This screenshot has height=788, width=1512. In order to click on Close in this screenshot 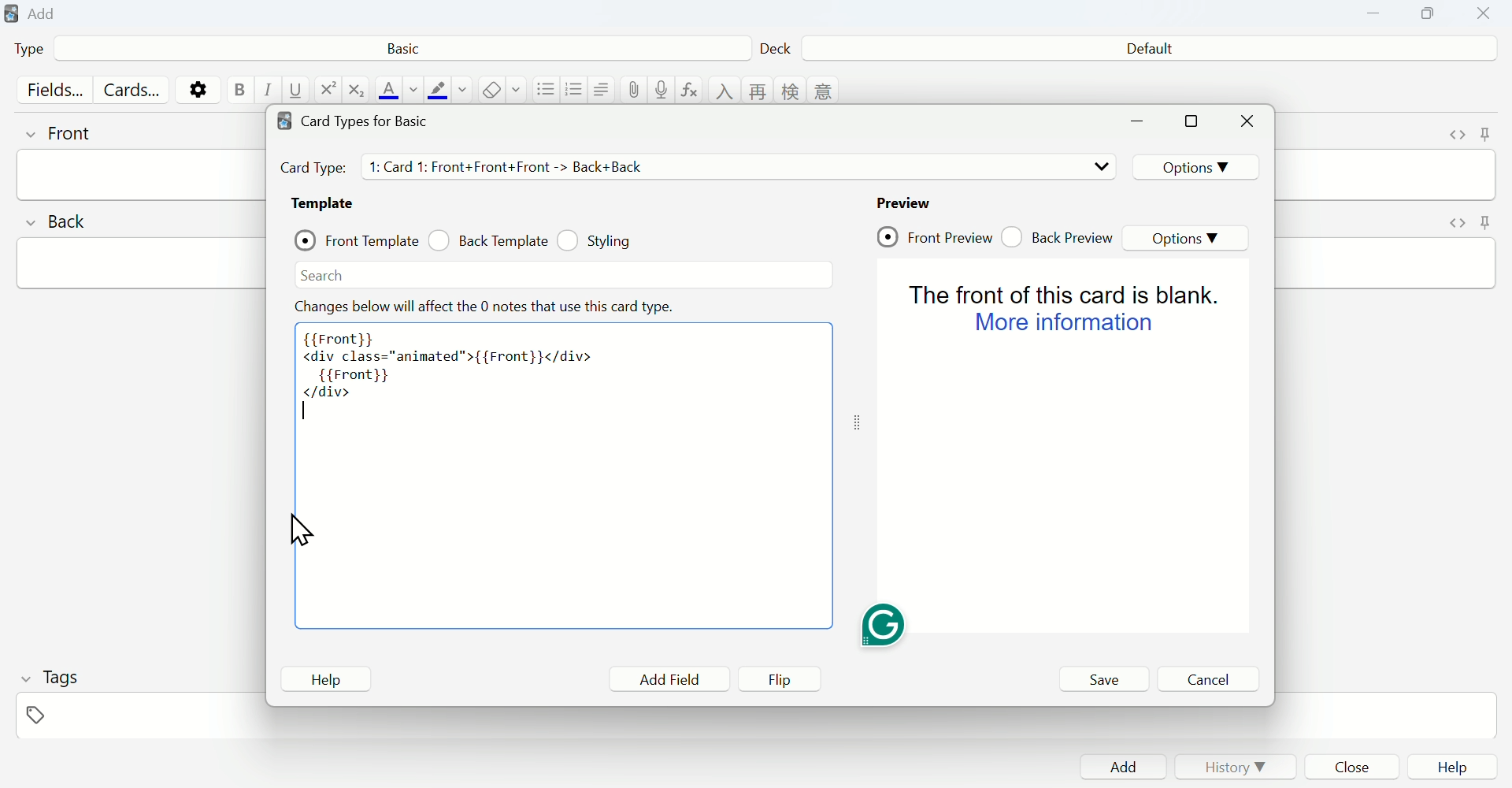, I will do `click(1247, 123)`.